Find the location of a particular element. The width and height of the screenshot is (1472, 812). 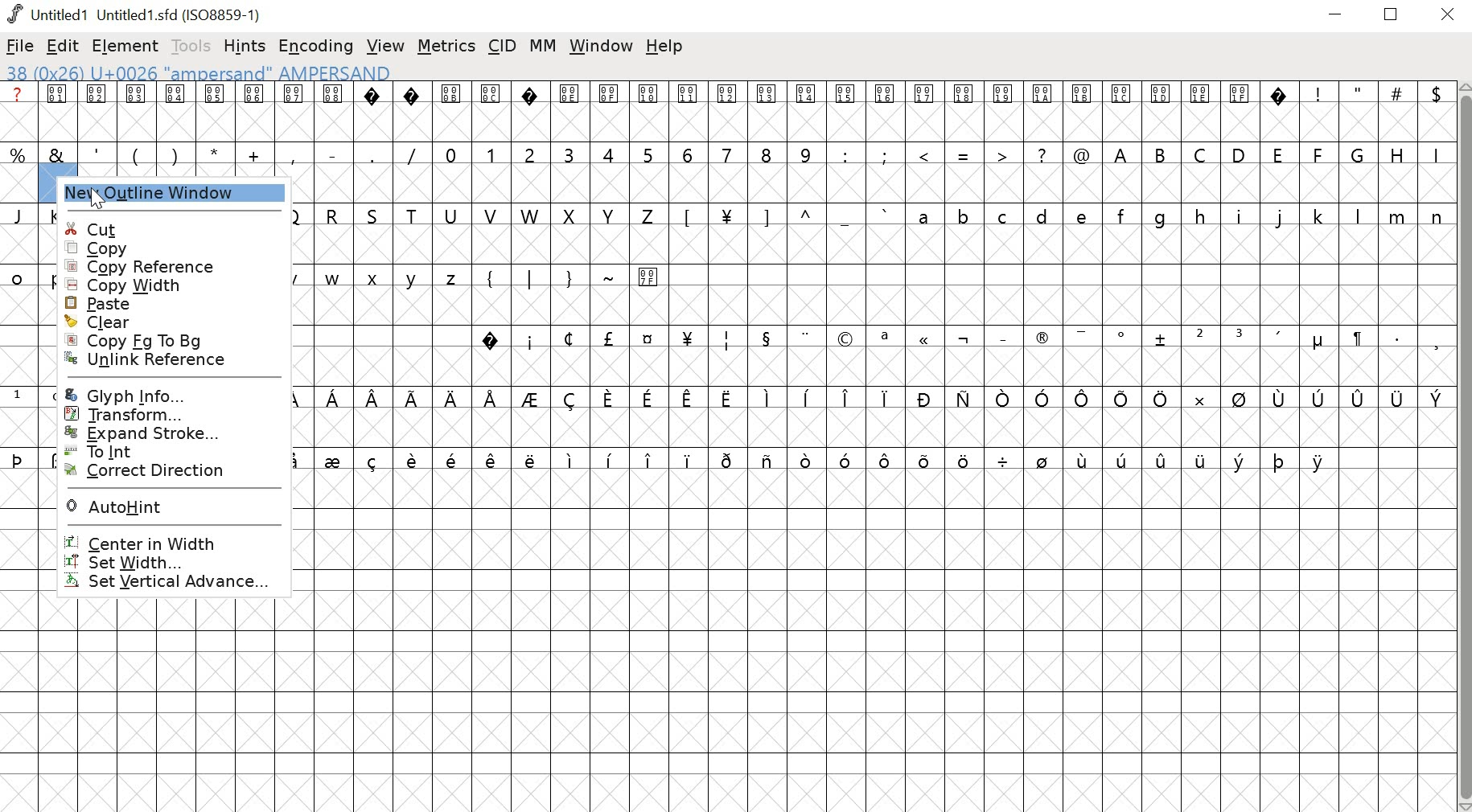

Symbol is located at coordinates (1042, 340).